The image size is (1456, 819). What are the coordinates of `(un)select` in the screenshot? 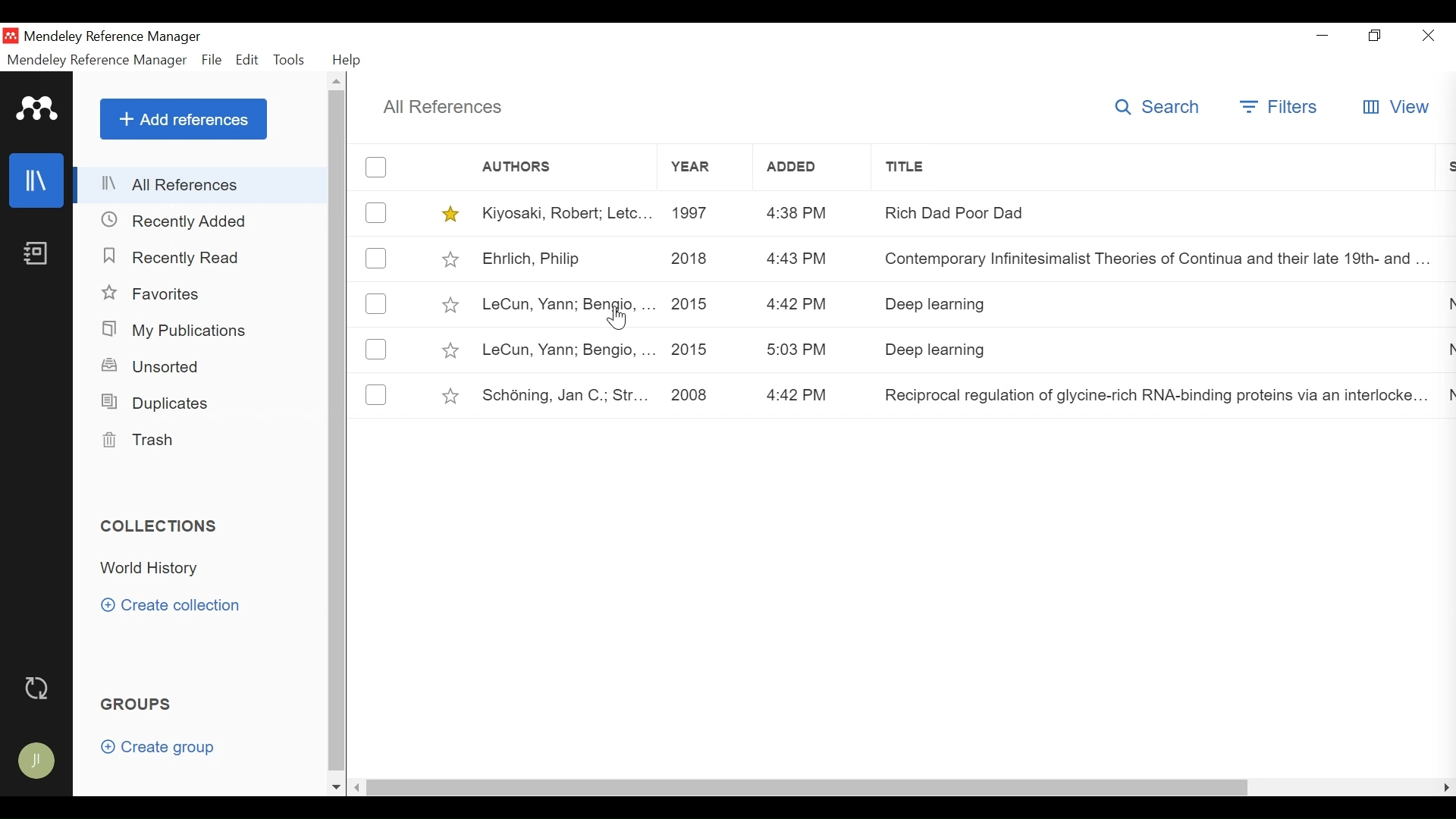 It's located at (376, 305).